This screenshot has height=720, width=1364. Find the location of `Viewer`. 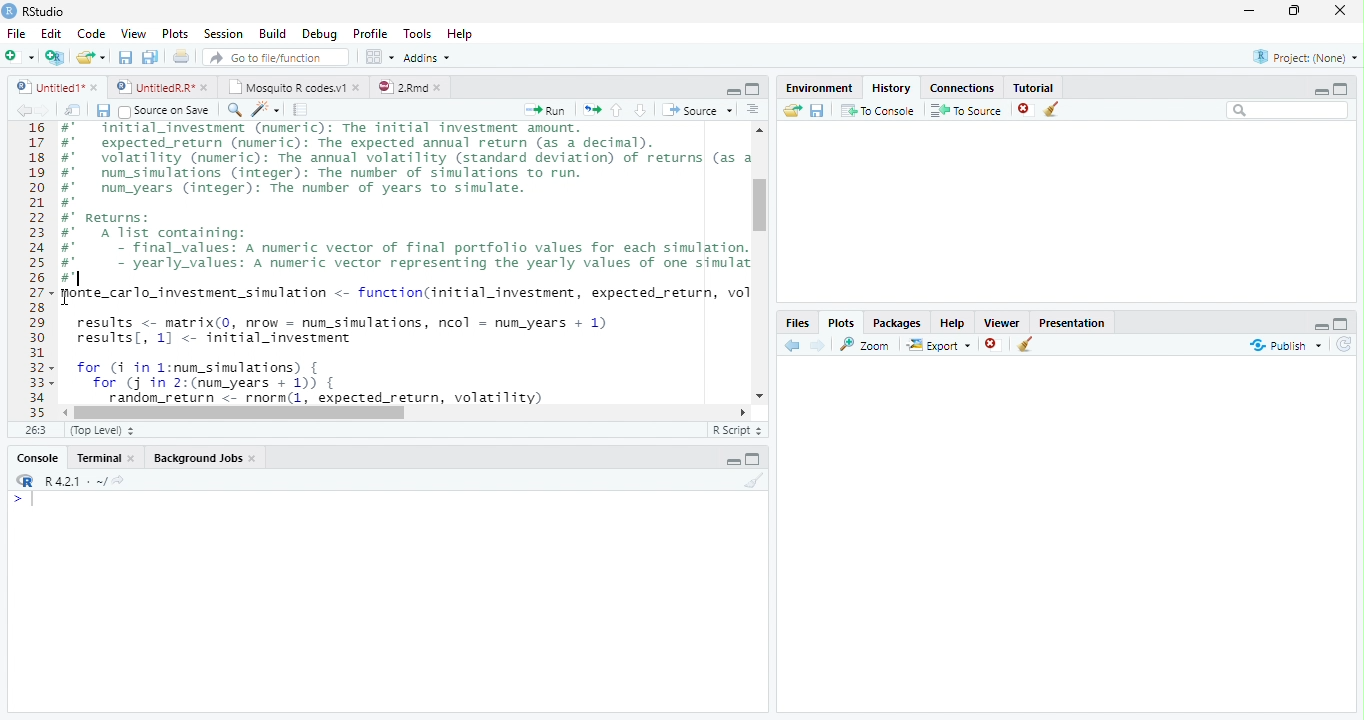

Viewer is located at coordinates (1003, 320).